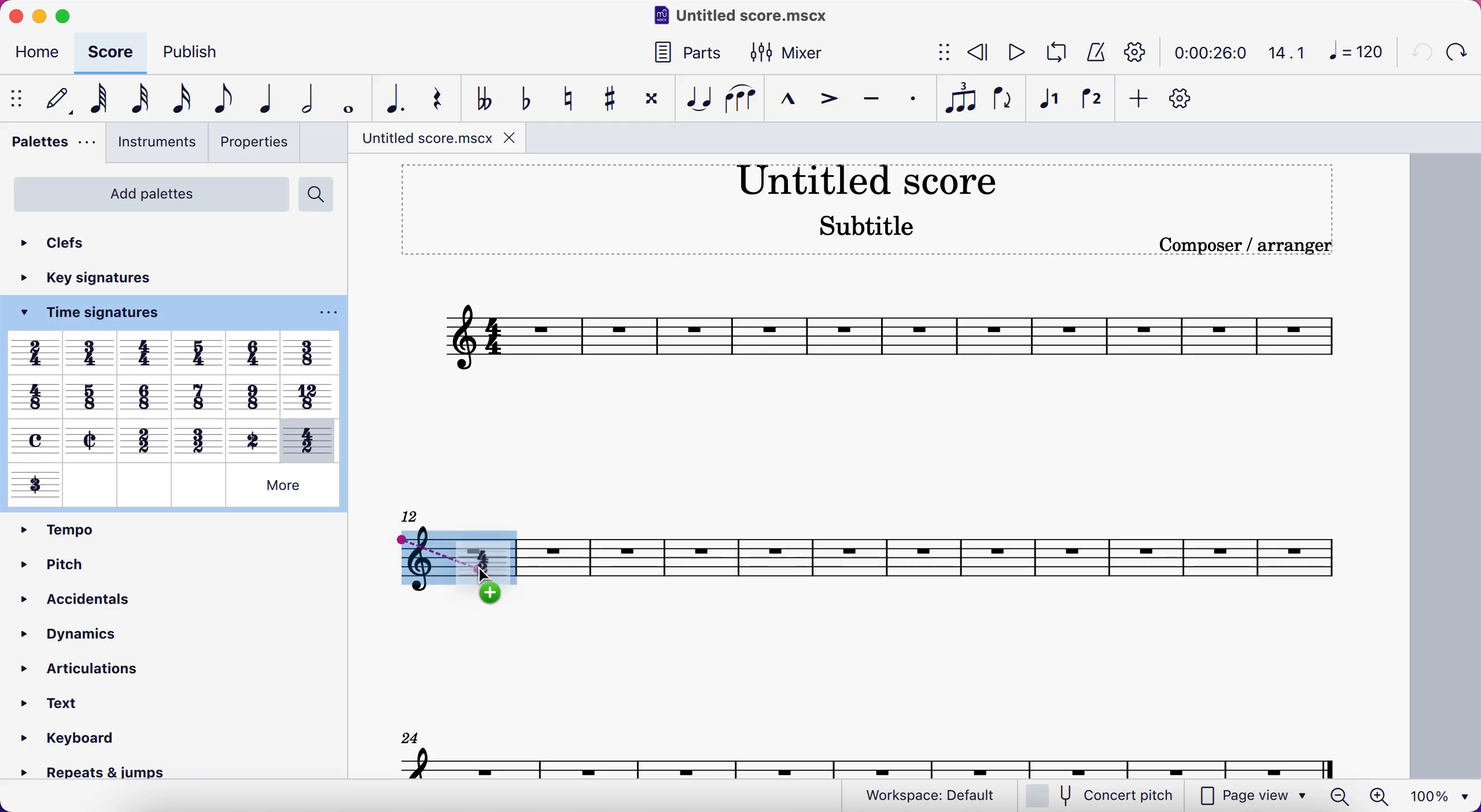  I want to click on time signature dragging, so click(451, 560).